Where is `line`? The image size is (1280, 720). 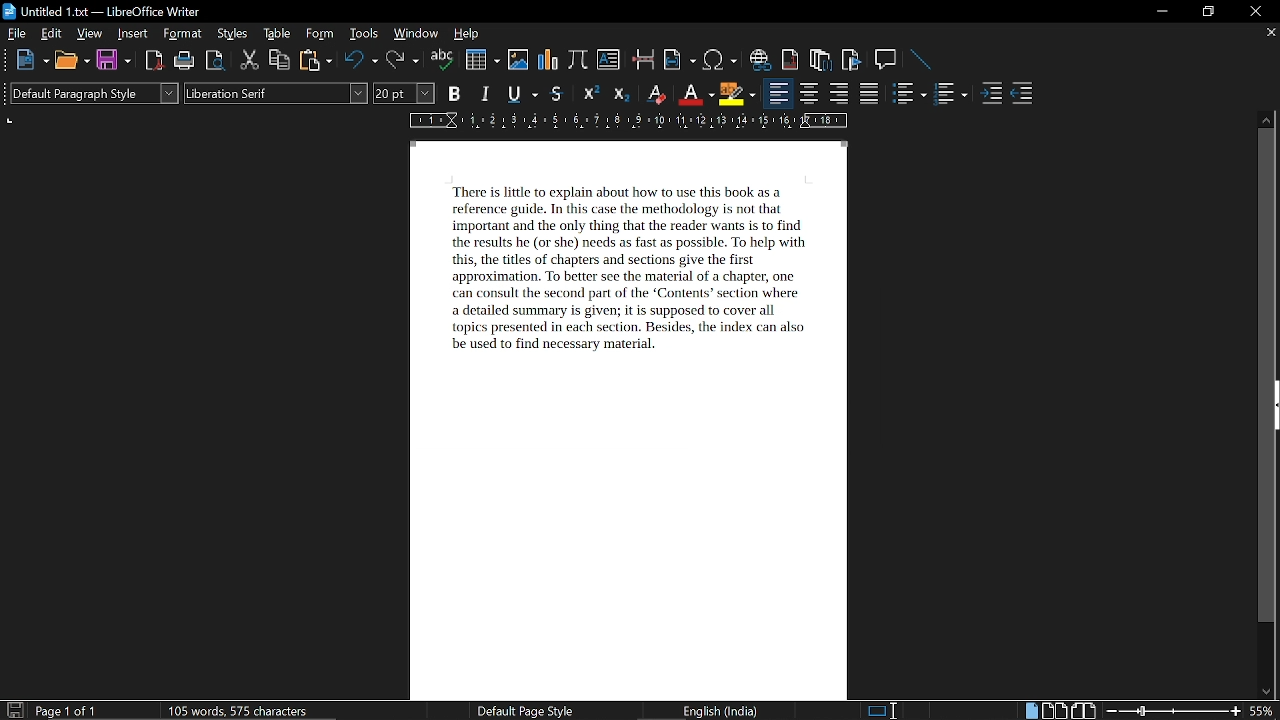 line is located at coordinates (922, 60).